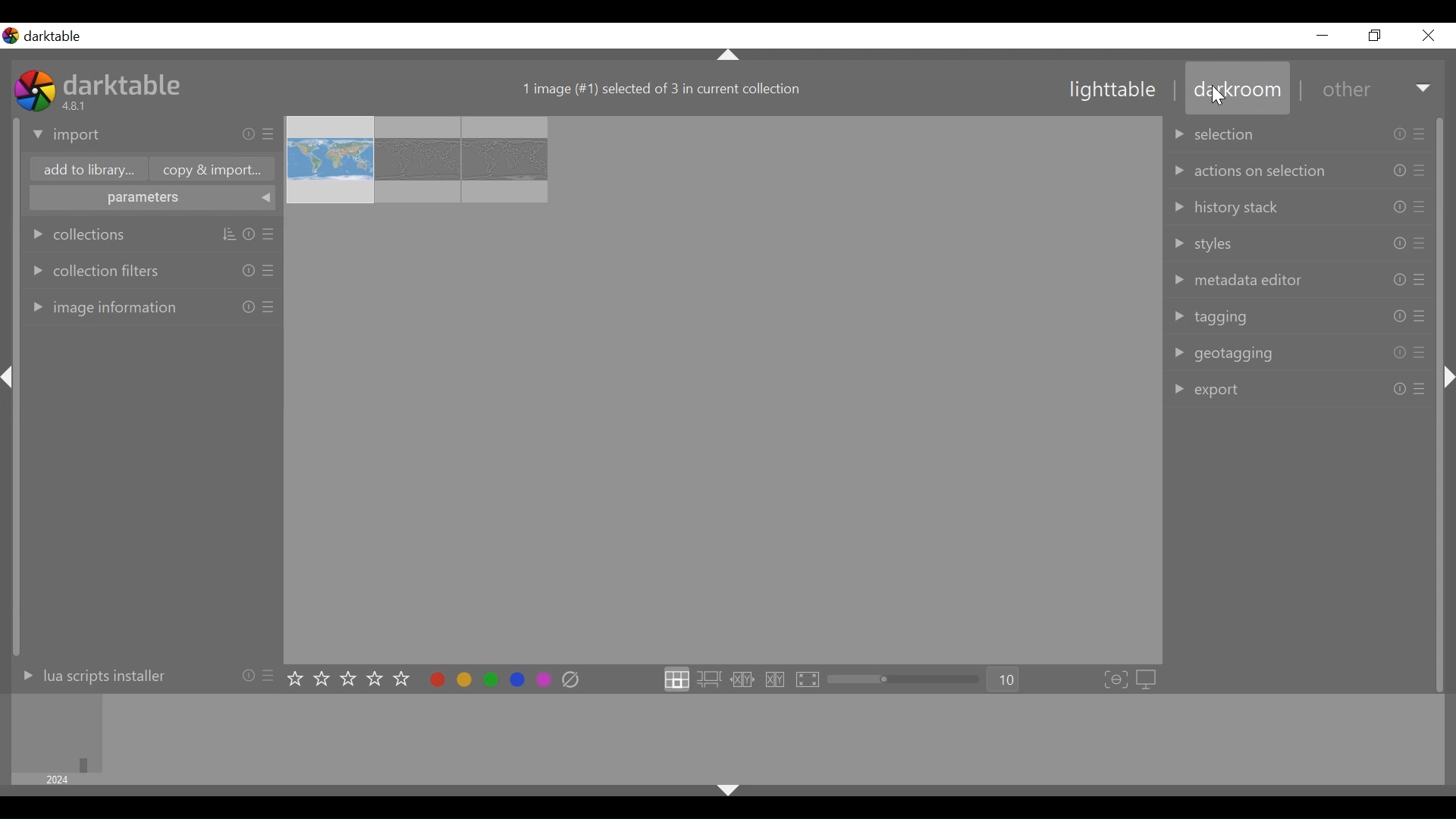 The image size is (1456, 819). What do you see at coordinates (1007, 679) in the screenshot?
I see `Zoom factor` at bounding box center [1007, 679].